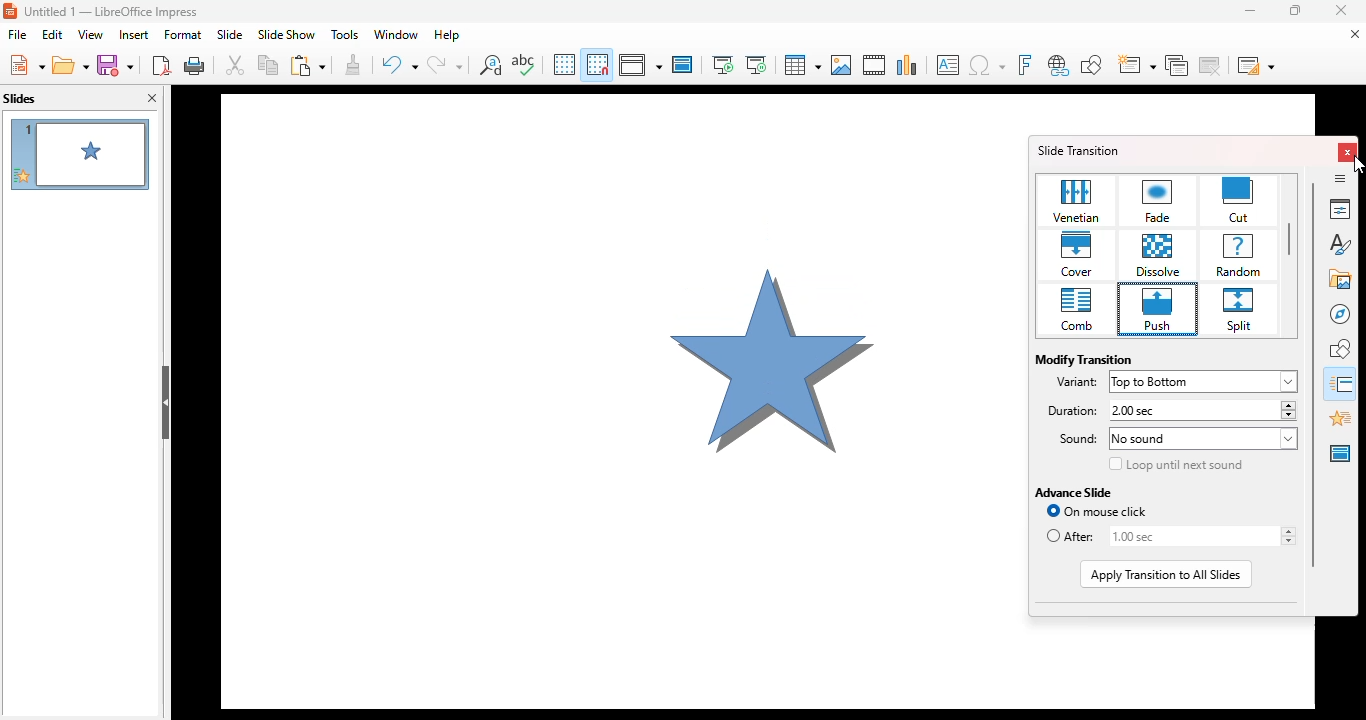 This screenshot has height=720, width=1366. I want to click on edit, so click(53, 34).